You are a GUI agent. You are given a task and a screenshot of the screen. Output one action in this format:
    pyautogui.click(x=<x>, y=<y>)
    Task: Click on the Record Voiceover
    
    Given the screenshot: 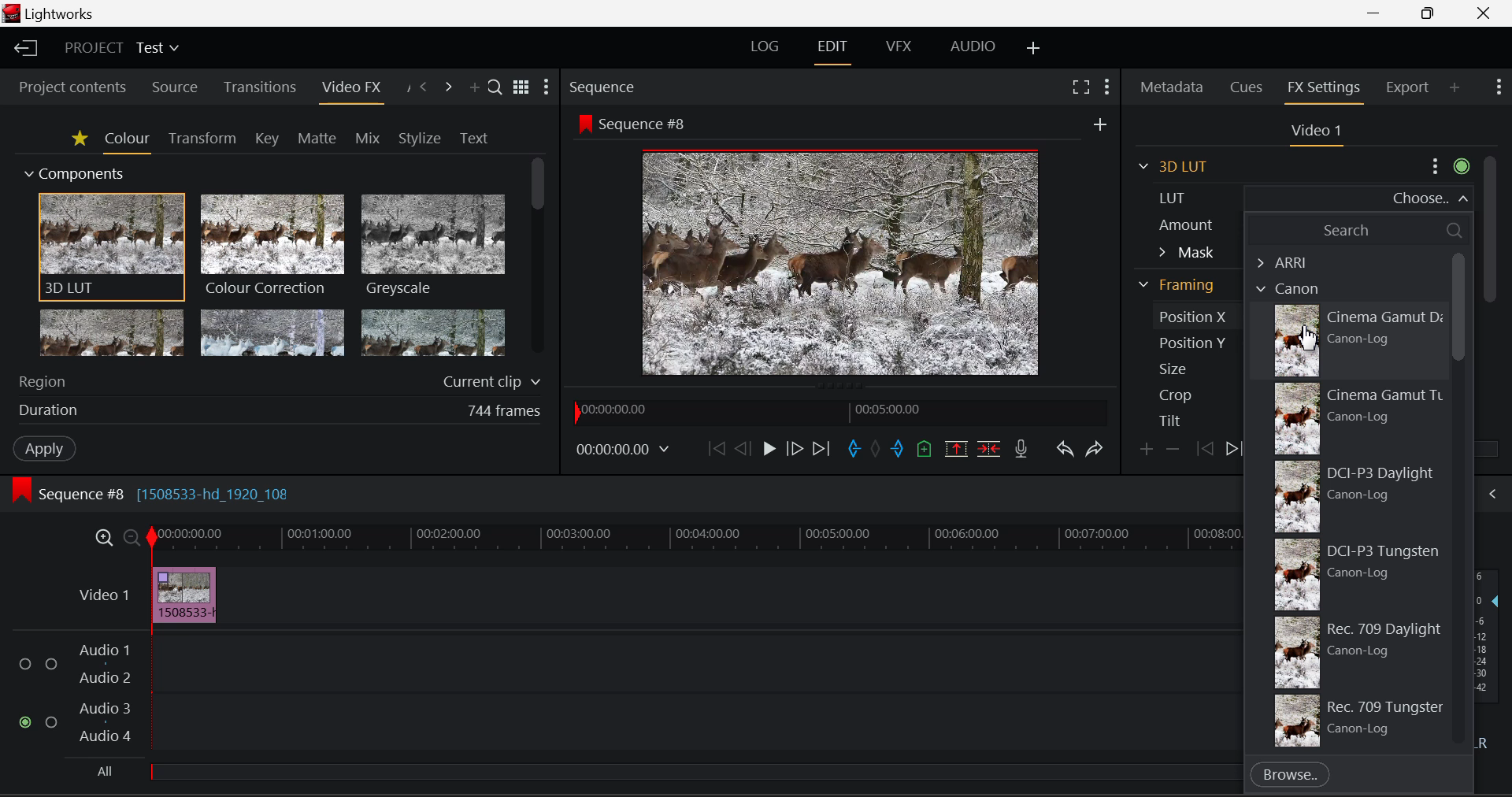 What is the action you would take?
    pyautogui.click(x=1021, y=449)
    